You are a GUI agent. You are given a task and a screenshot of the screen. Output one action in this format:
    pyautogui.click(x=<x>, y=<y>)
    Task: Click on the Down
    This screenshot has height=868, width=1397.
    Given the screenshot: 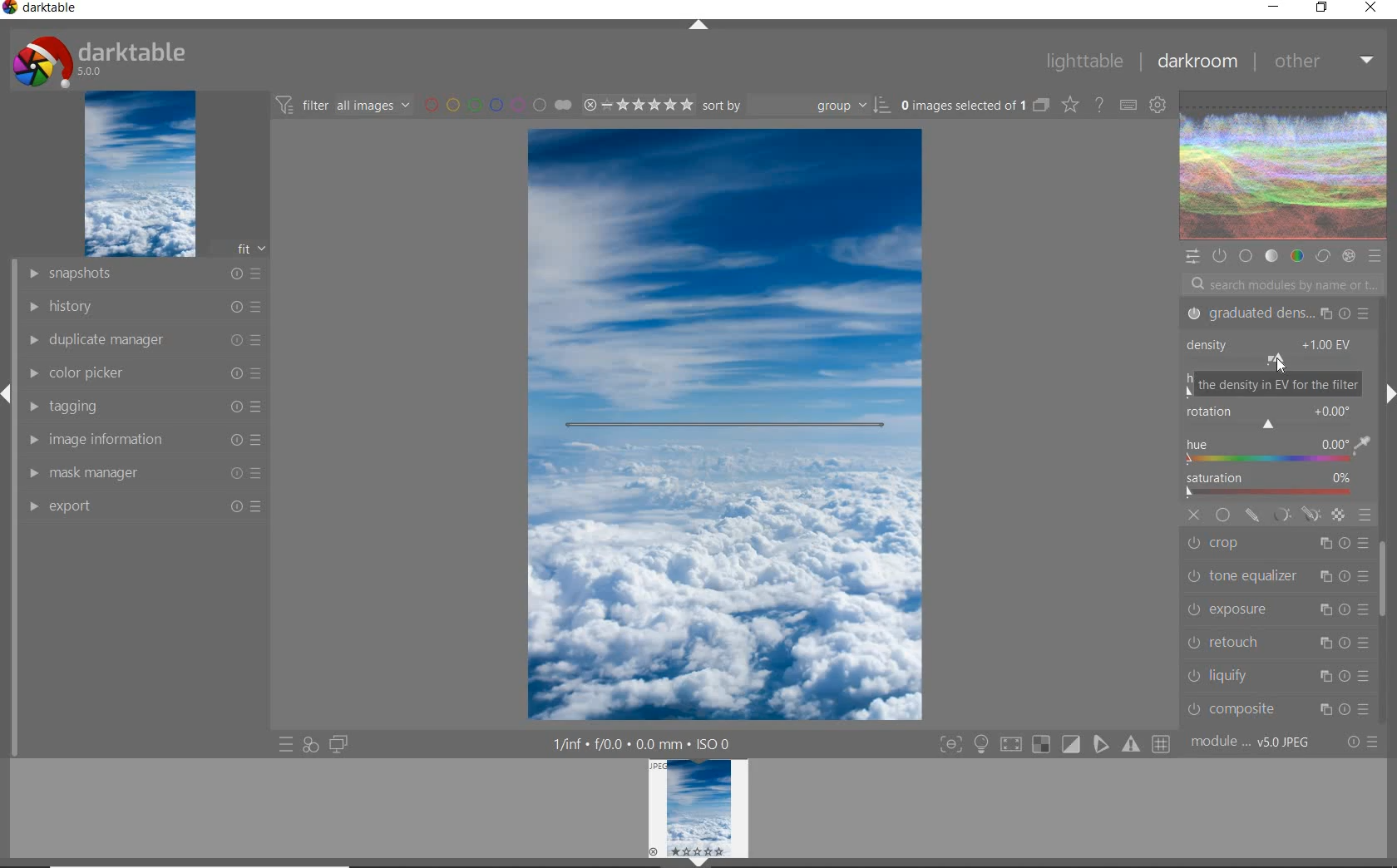 What is the action you would take?
    pyautogui.click(x=699, y=862)
    